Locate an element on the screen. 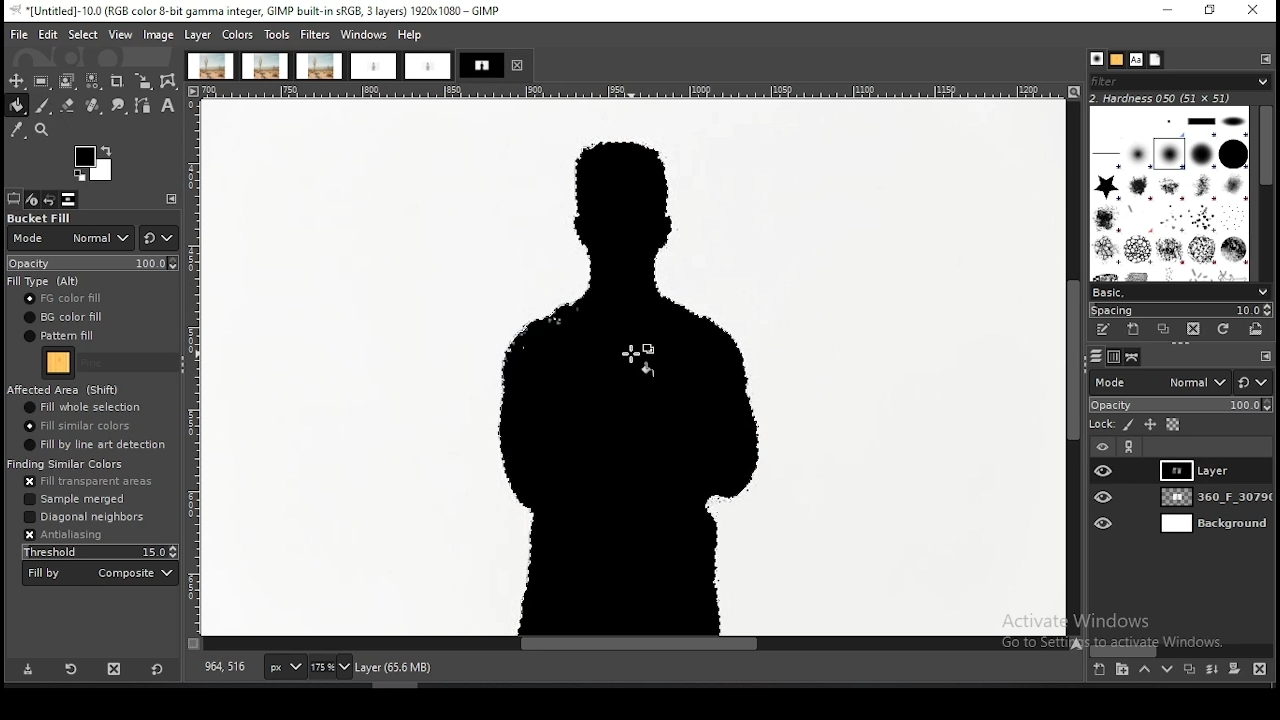 The height and width of the screenshot is (720, 1280). antialiasing is located at coordinates (63, 536).